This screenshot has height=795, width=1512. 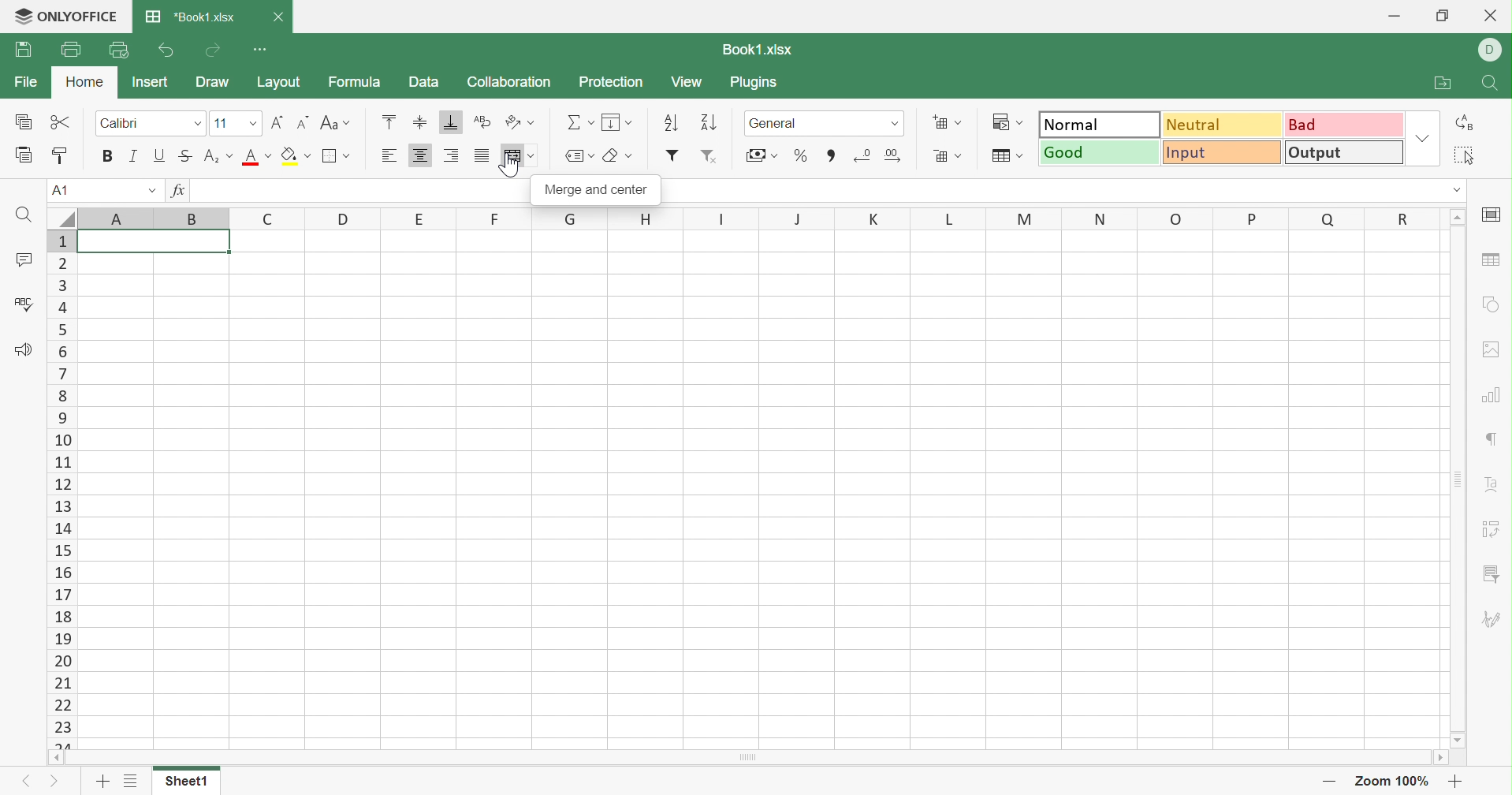 I want to click on Copy, so click(x=26, y=121).